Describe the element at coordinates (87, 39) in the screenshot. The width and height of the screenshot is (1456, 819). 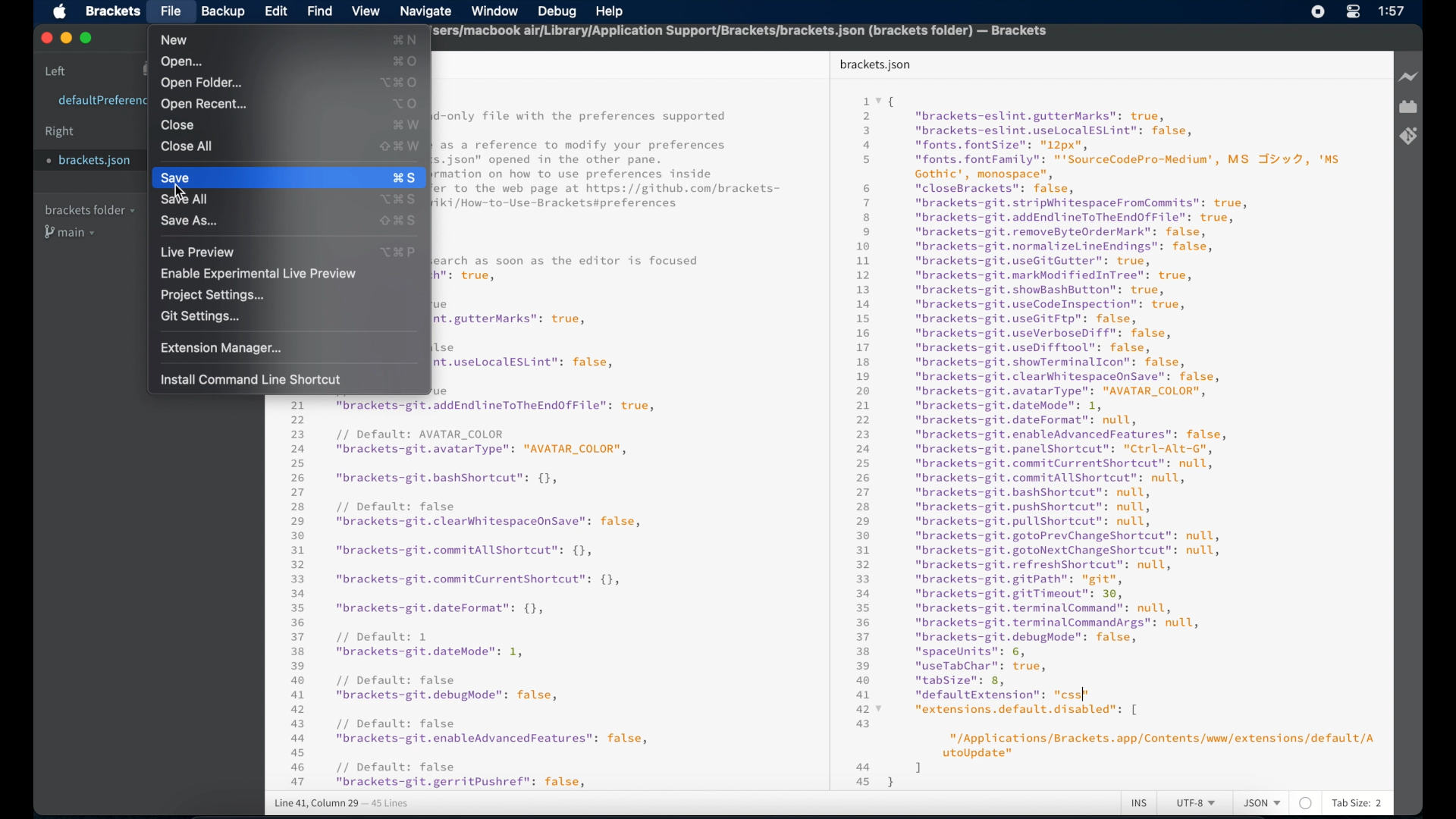
I see `maximize` at that location.